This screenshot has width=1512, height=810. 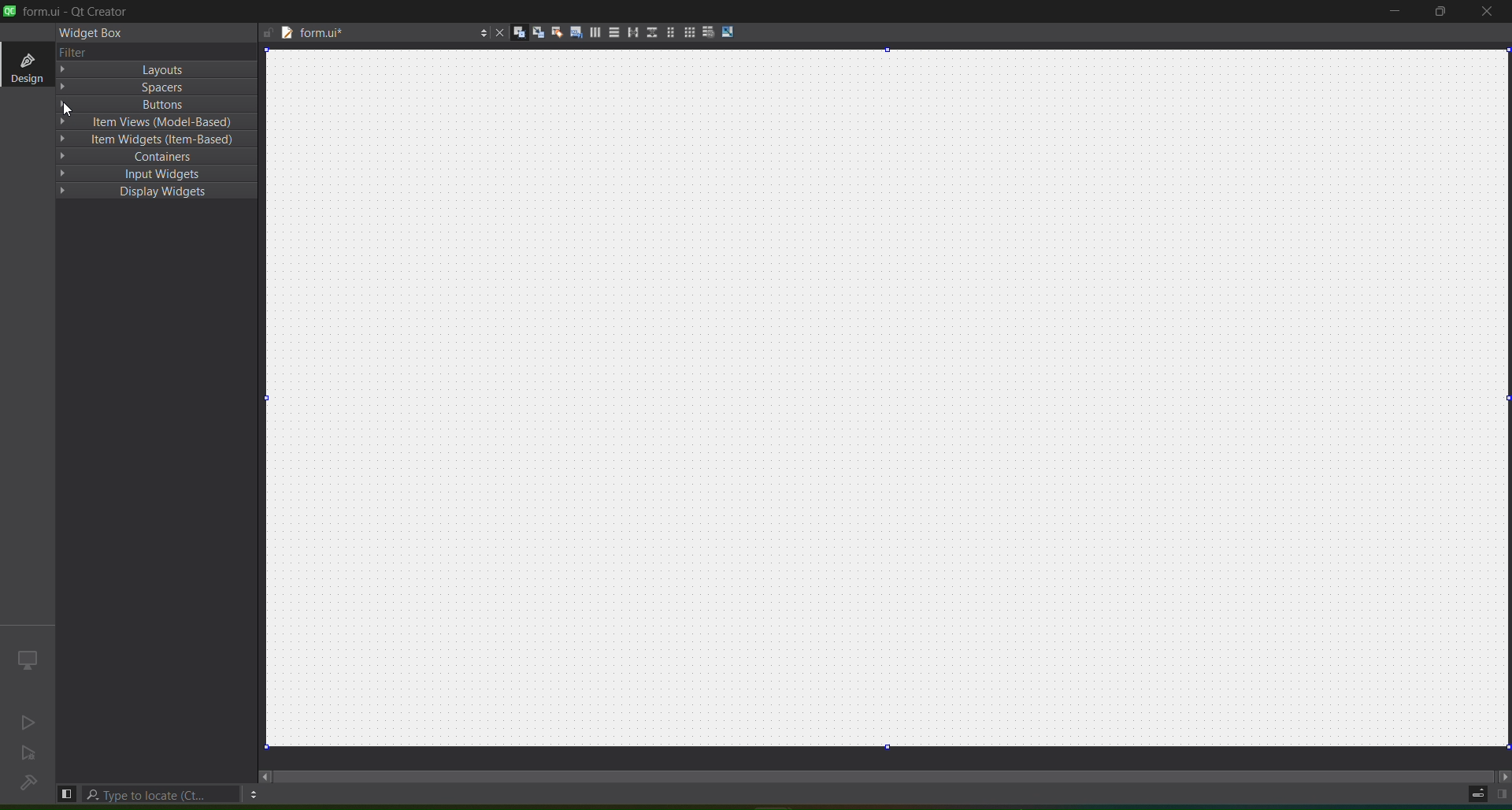 What do you see at coordinates (78, 51) in the screenshot?
I see `text` at bounding box center [78, 51].